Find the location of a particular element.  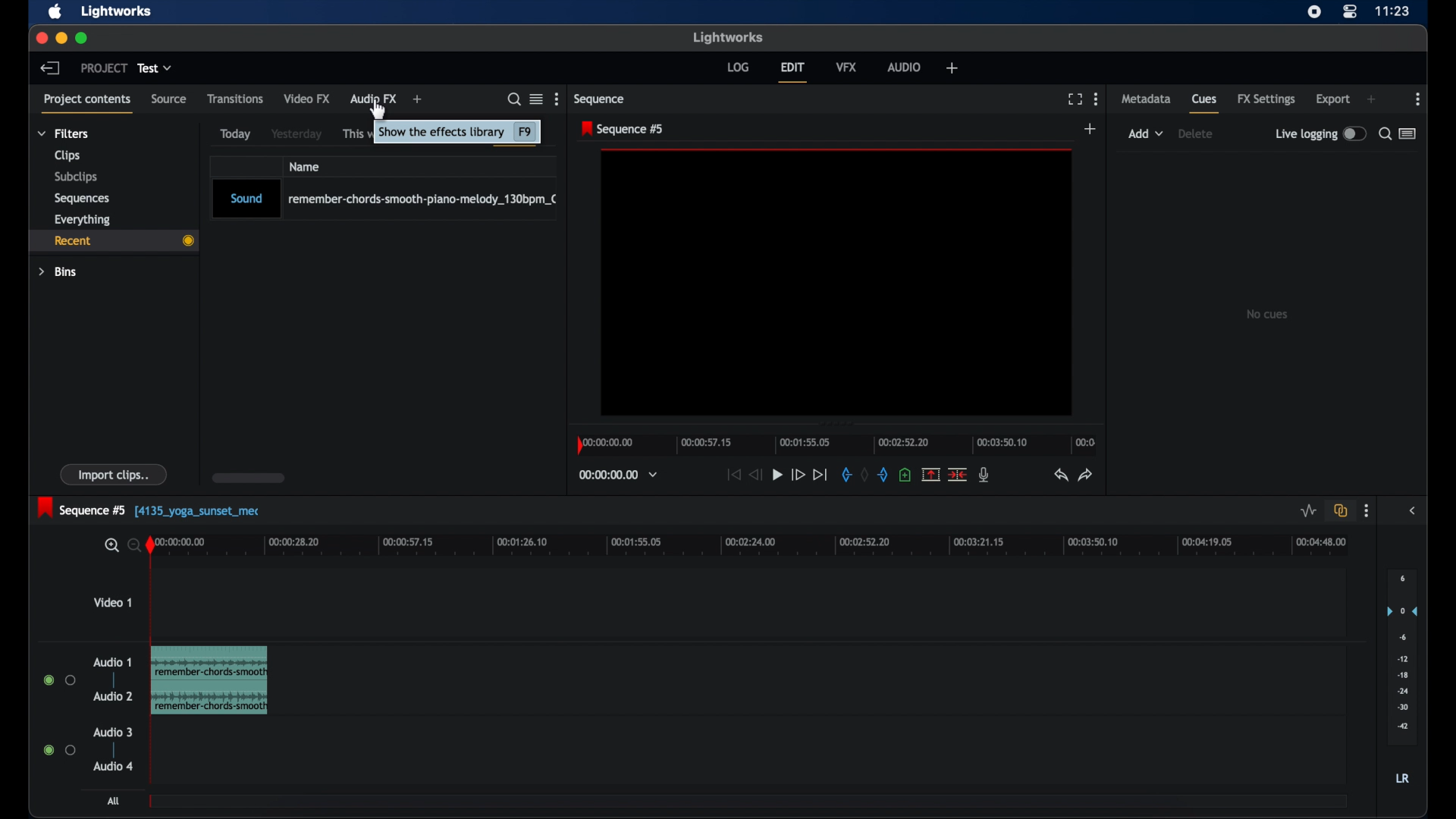

video fx is located at coordinates (308, 99).